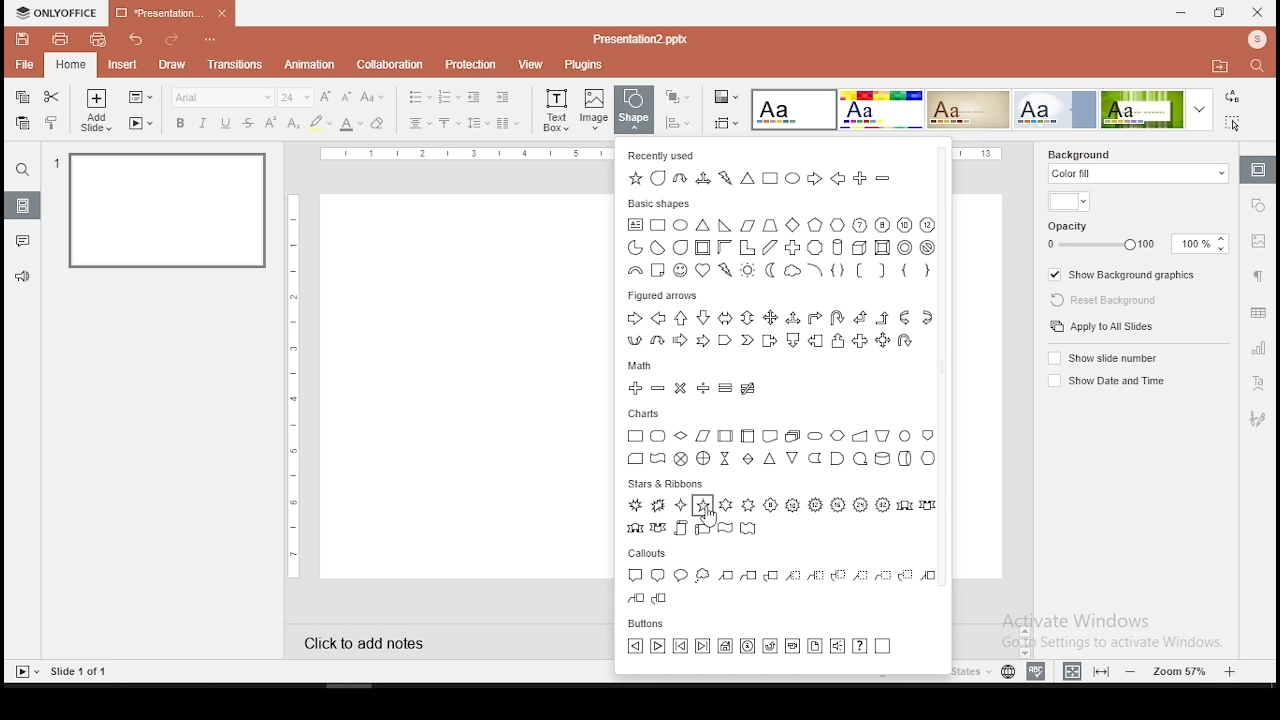 The width and height of the screenshot is (1280, 720). I want to click on show date and time, so click(1104, 381).